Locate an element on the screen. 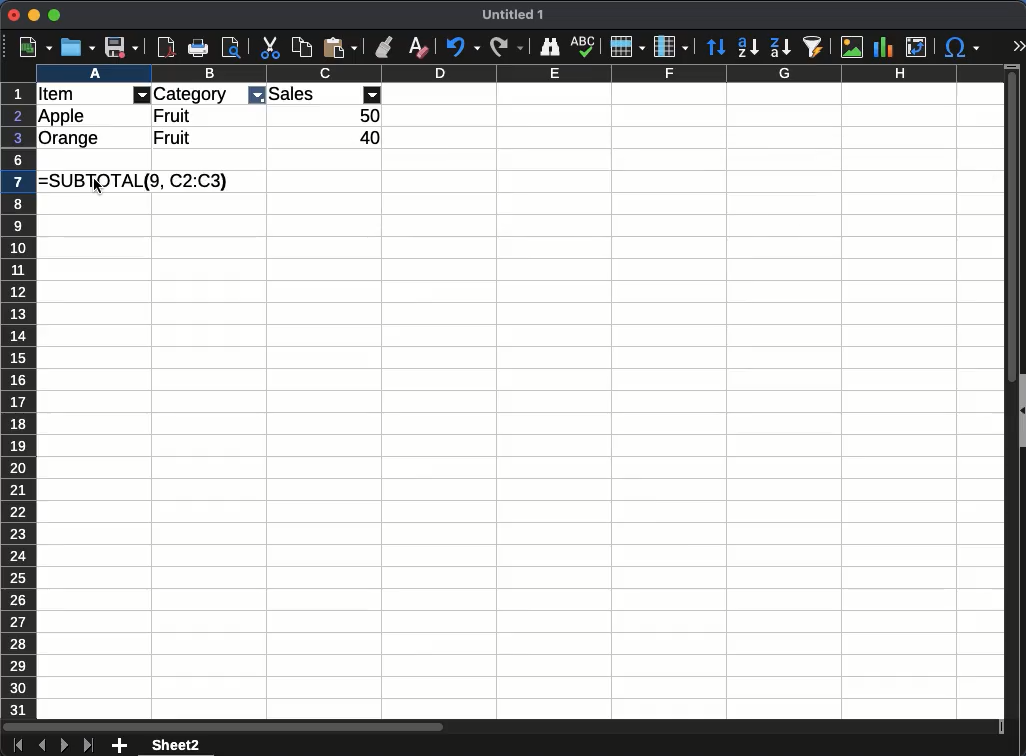 The height and width of the screenshot is (756, 1026). autofilter is located at coordinates (815, 48).